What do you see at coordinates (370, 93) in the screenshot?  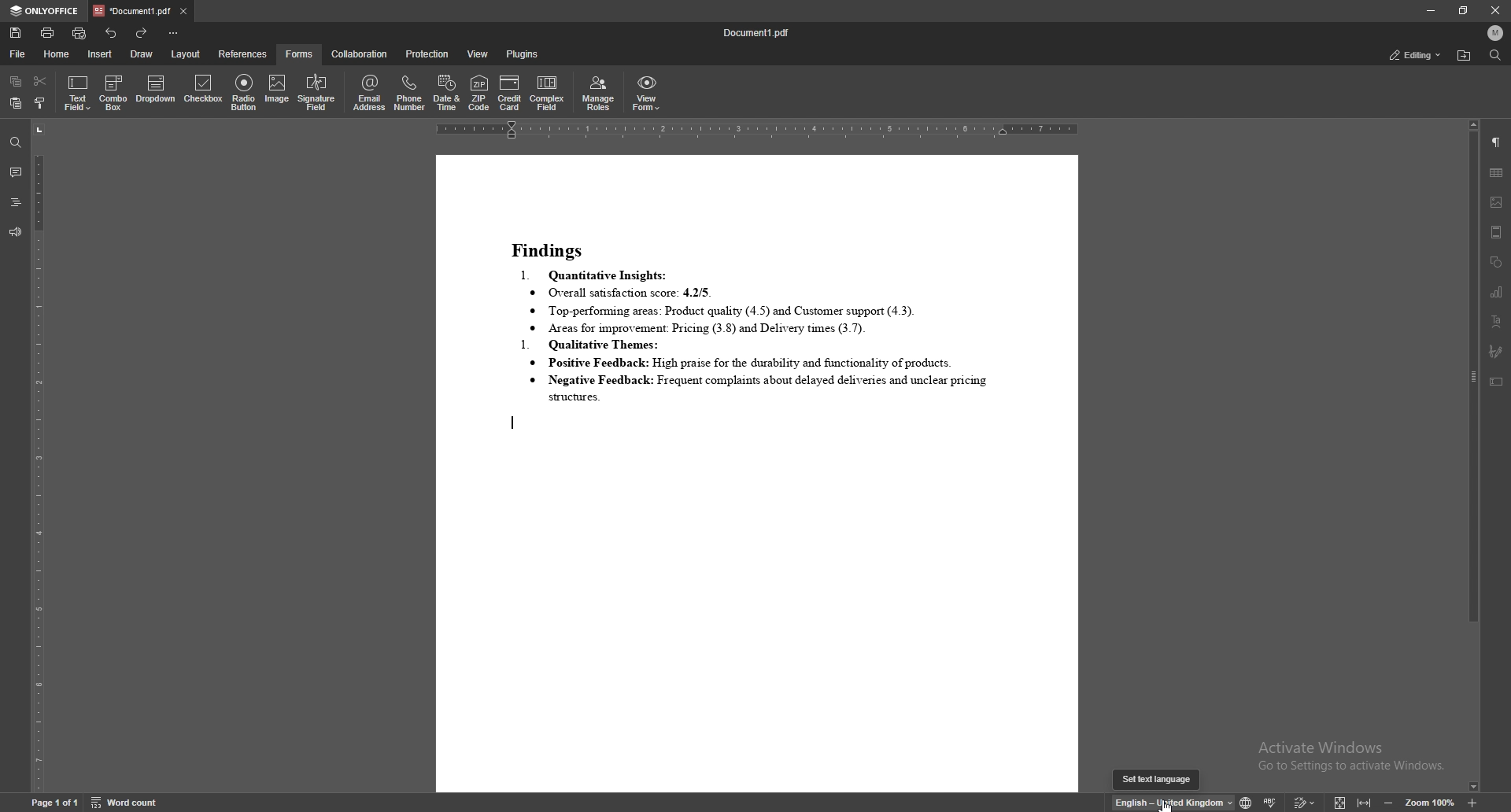 I see `email address` at bounding box center [370, 93].